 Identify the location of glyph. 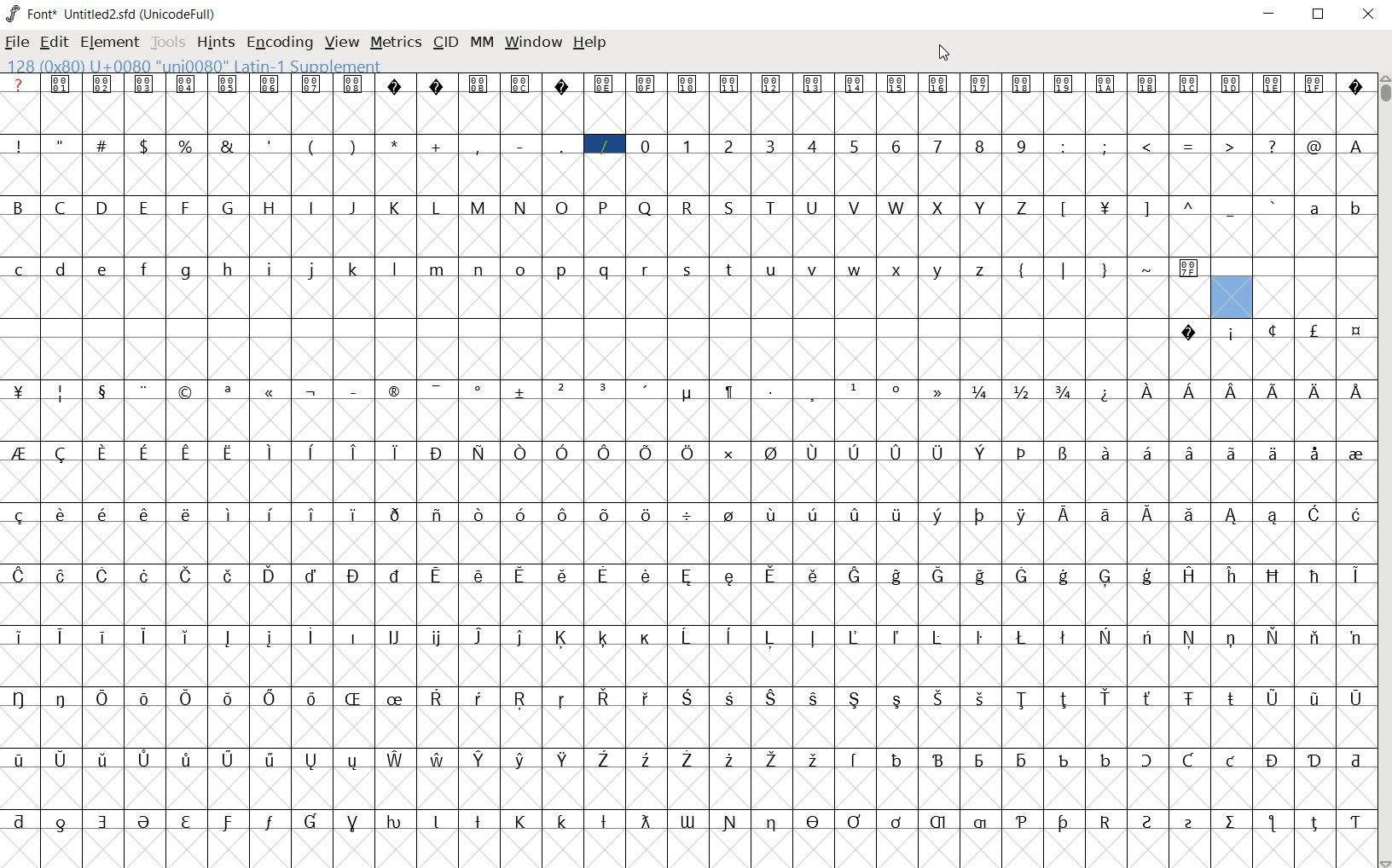
(1022, 516).